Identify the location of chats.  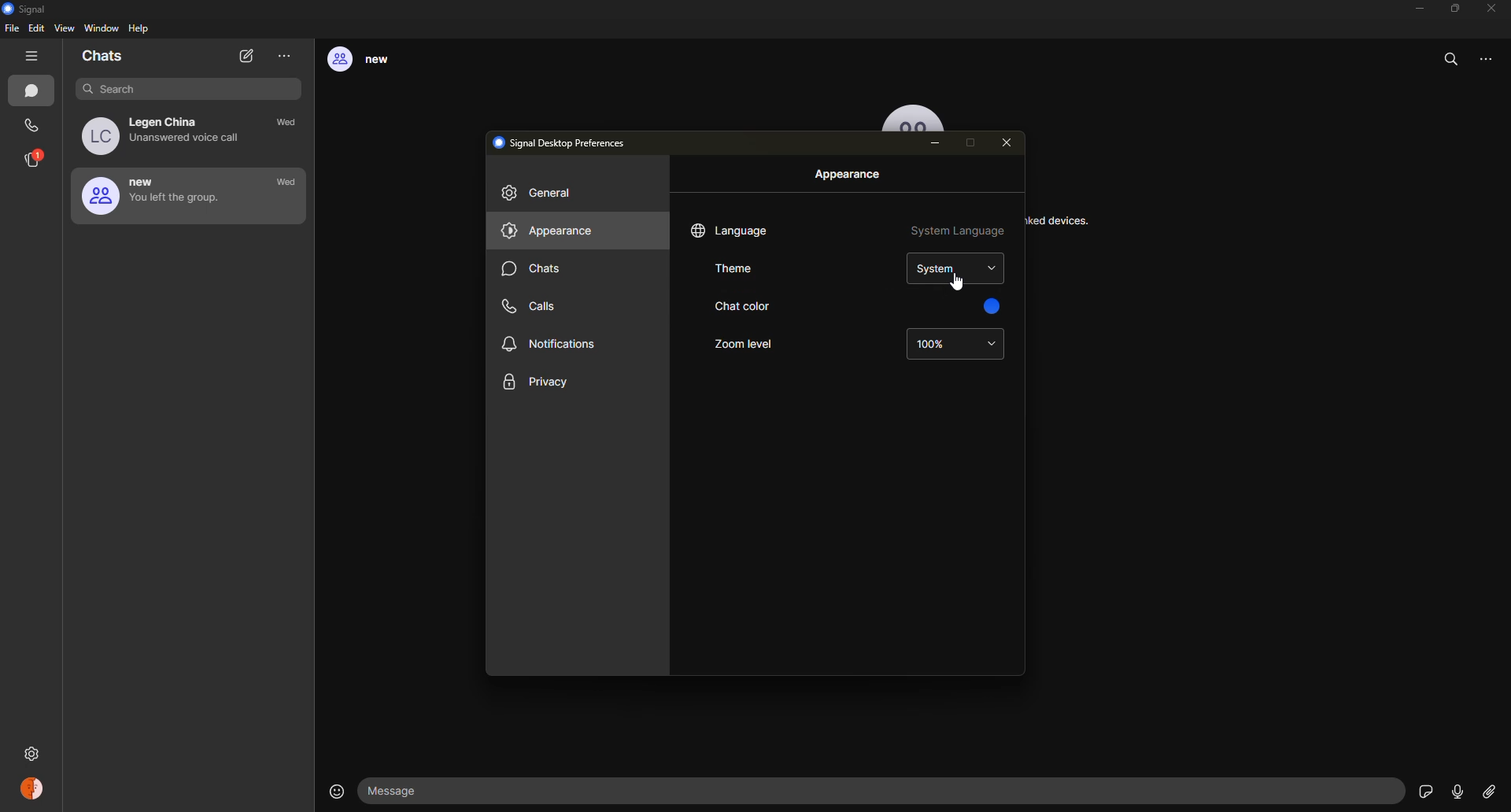
(35, 92).